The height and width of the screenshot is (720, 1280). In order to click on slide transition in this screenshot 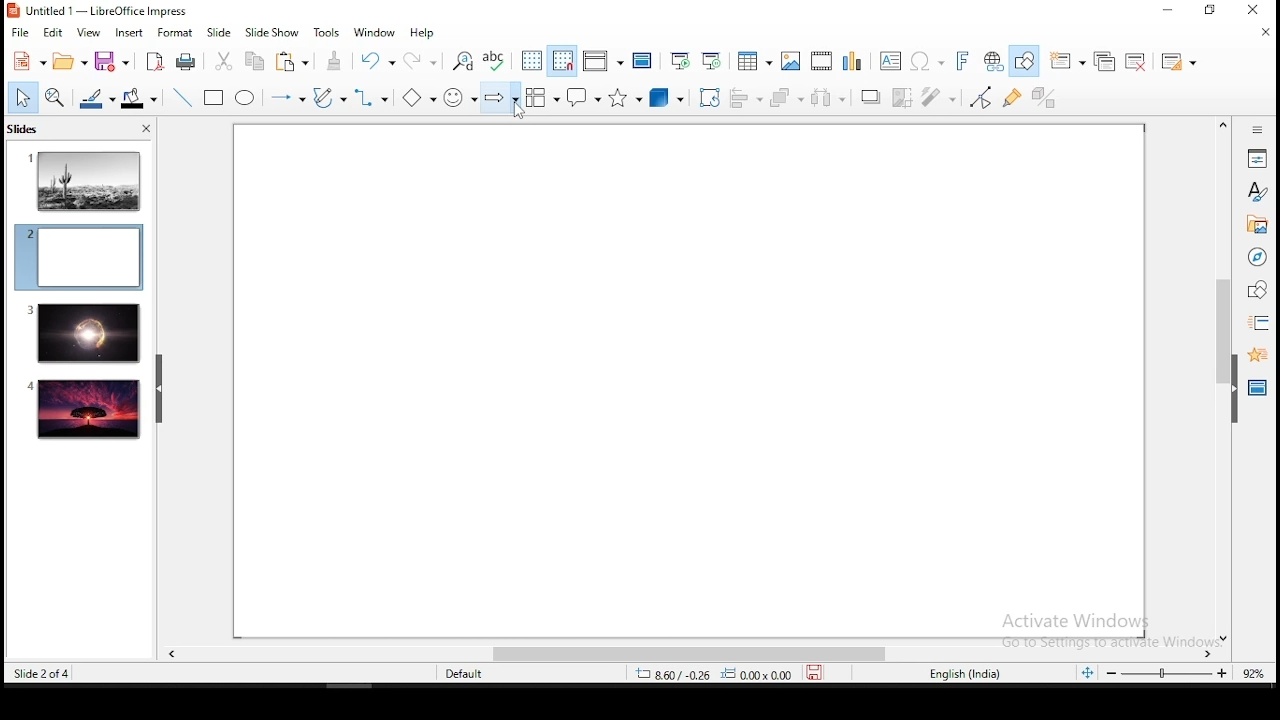, I will do `click(1258, 324)`.